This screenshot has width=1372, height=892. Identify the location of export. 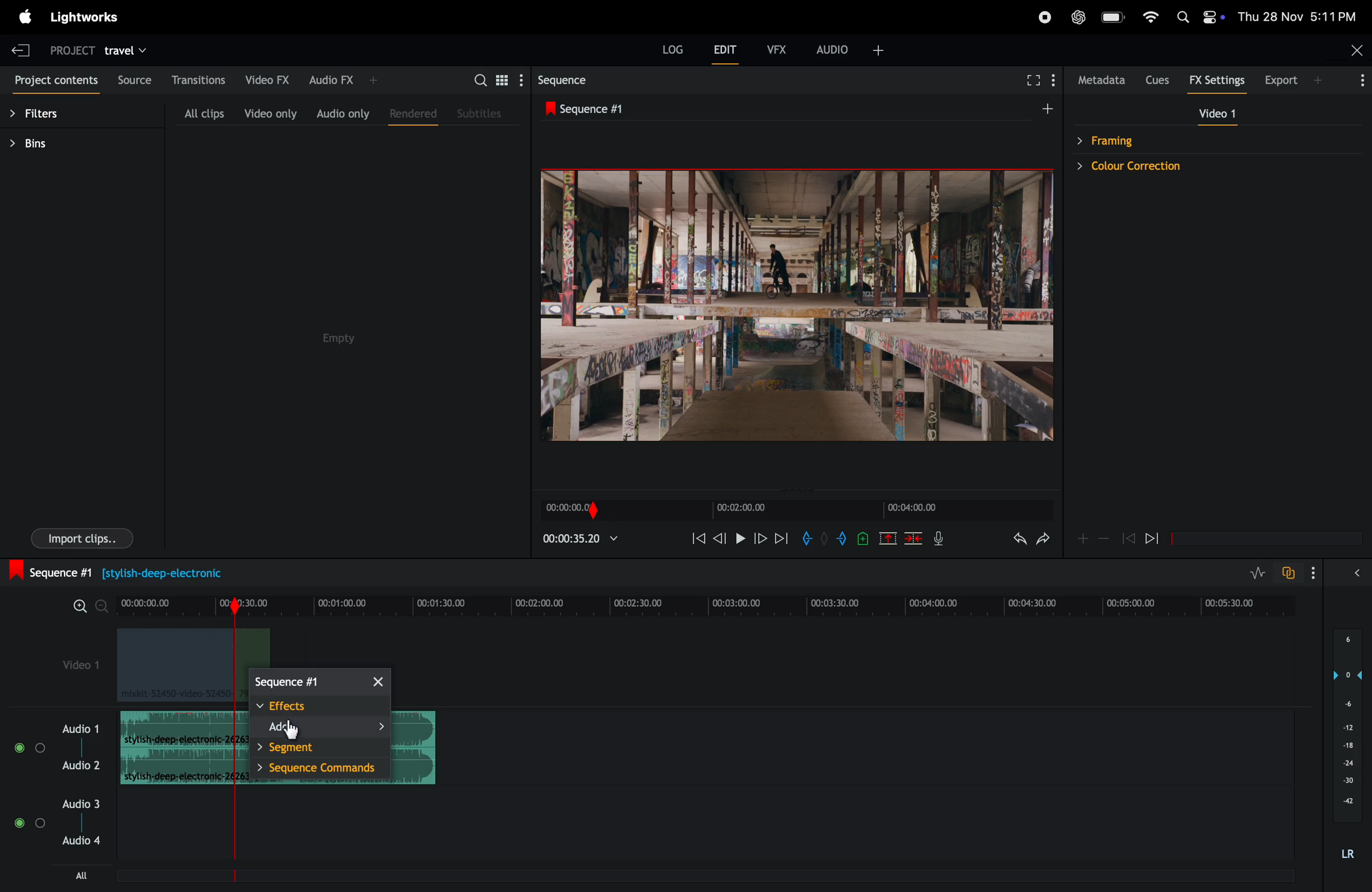
(1287, 80).